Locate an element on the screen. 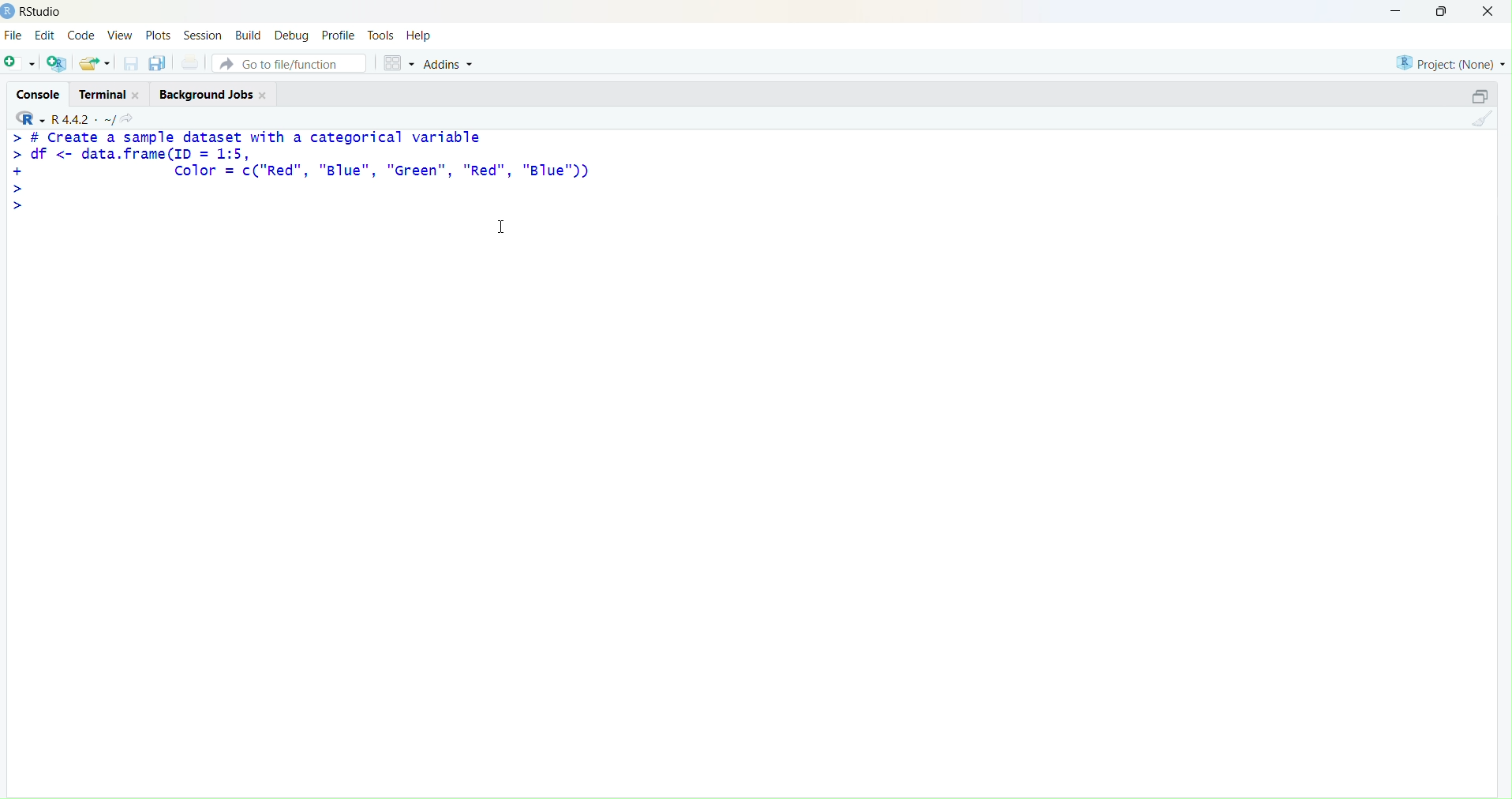 This screenshot has width=1512, height=799. code is located at coordinates (81, 36).